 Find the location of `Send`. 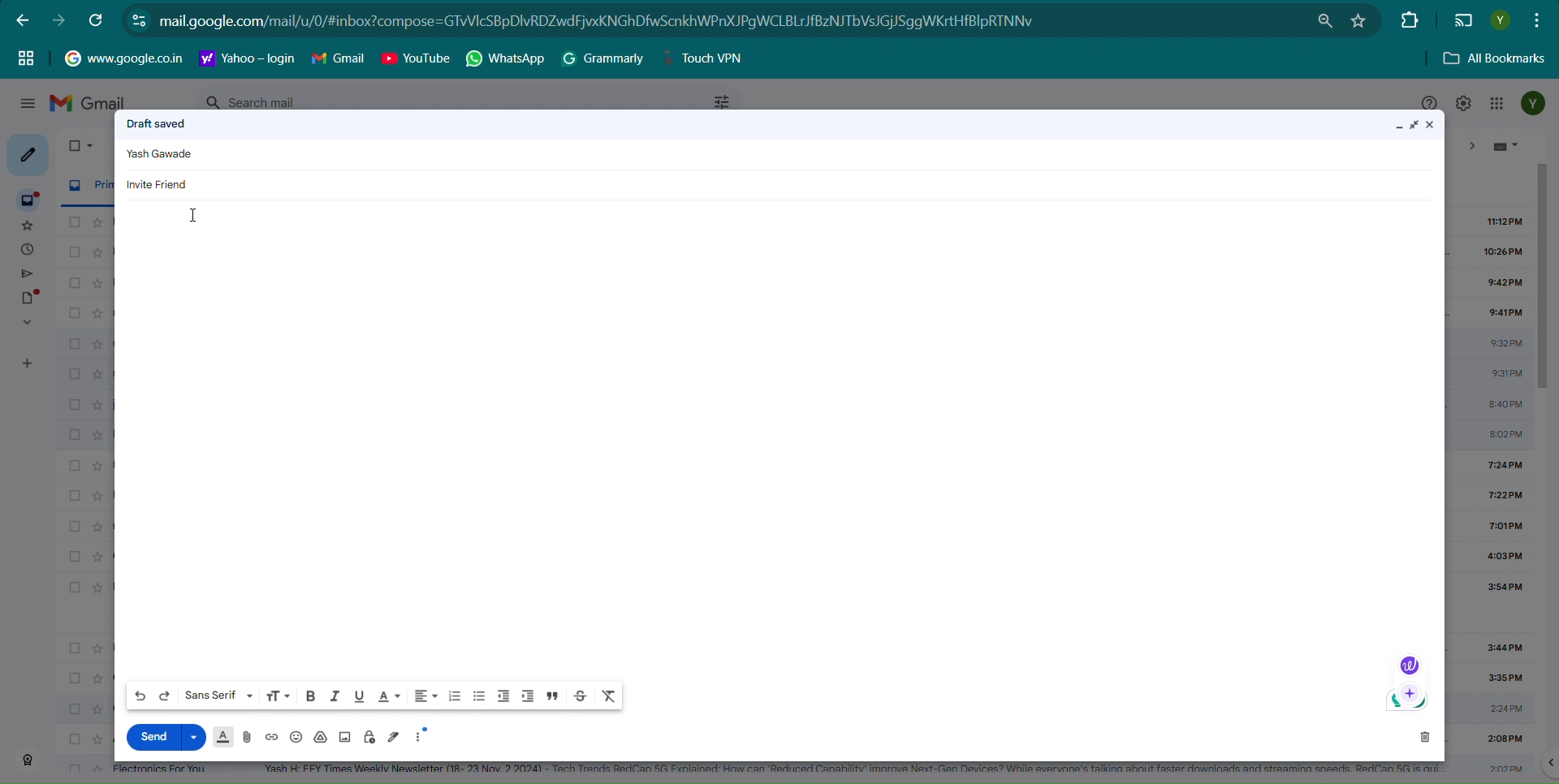

Send is located at coordinates (151, 736).